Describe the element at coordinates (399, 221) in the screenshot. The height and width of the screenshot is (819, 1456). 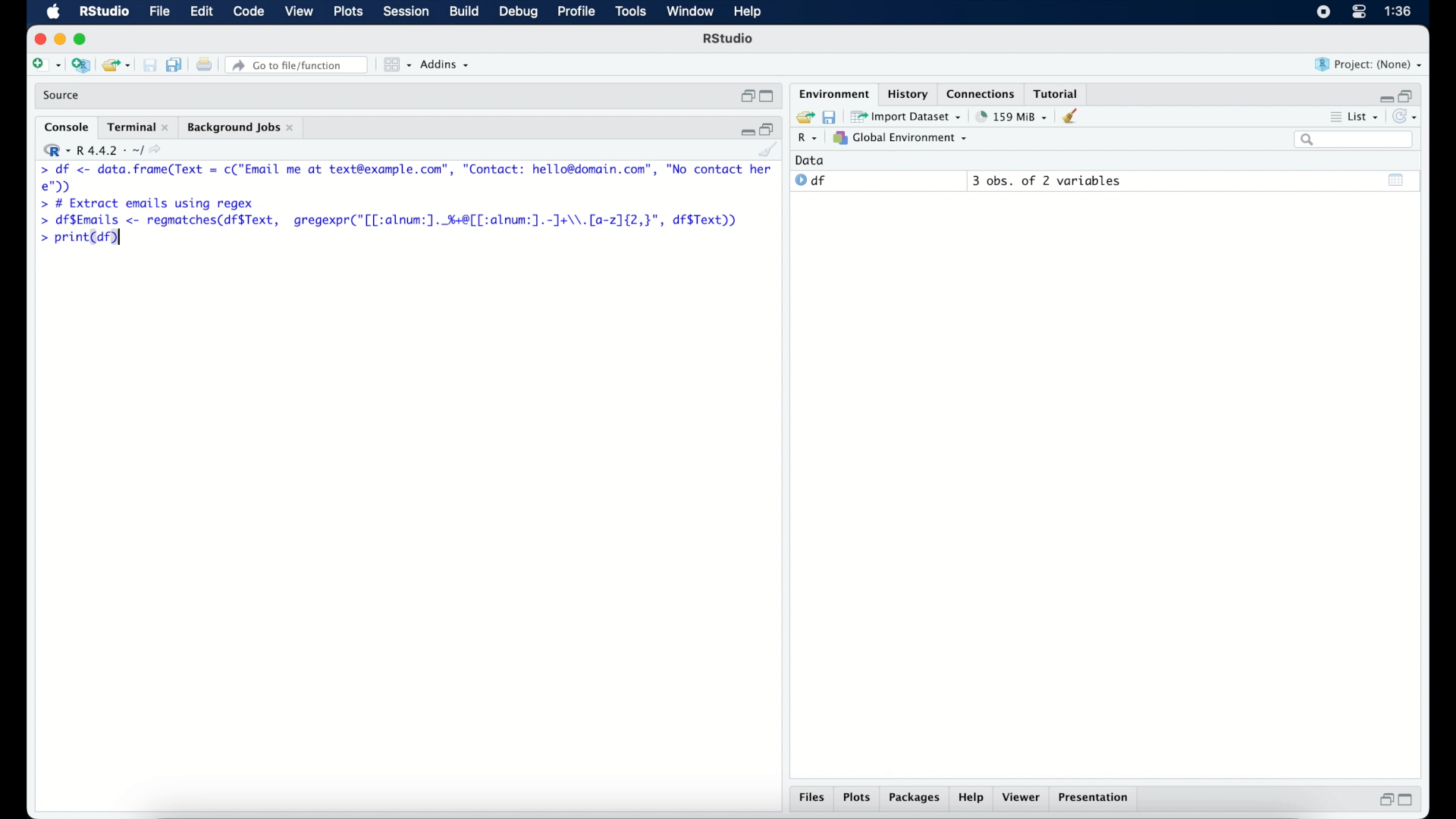
I see `> df$Emails <- regmatches(df$Text, gregexpr("[[:alnum:]. %+8[[:alnum:].-]J+\\.[a-2]{2,}", df$Text))` at that location.